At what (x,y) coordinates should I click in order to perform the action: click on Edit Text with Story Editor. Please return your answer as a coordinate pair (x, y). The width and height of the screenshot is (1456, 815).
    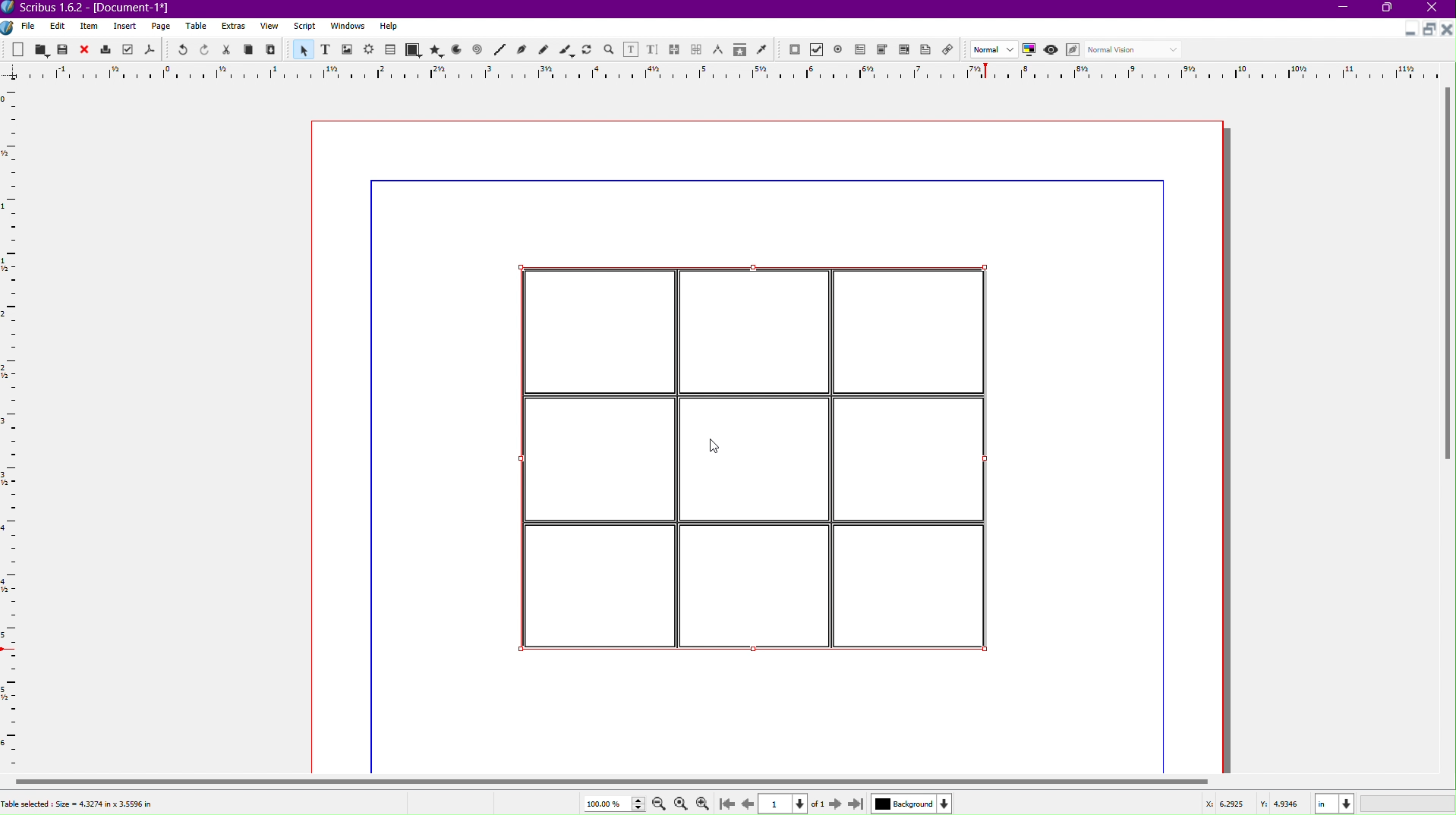
    Looking at the image, I should click on (653, 49).